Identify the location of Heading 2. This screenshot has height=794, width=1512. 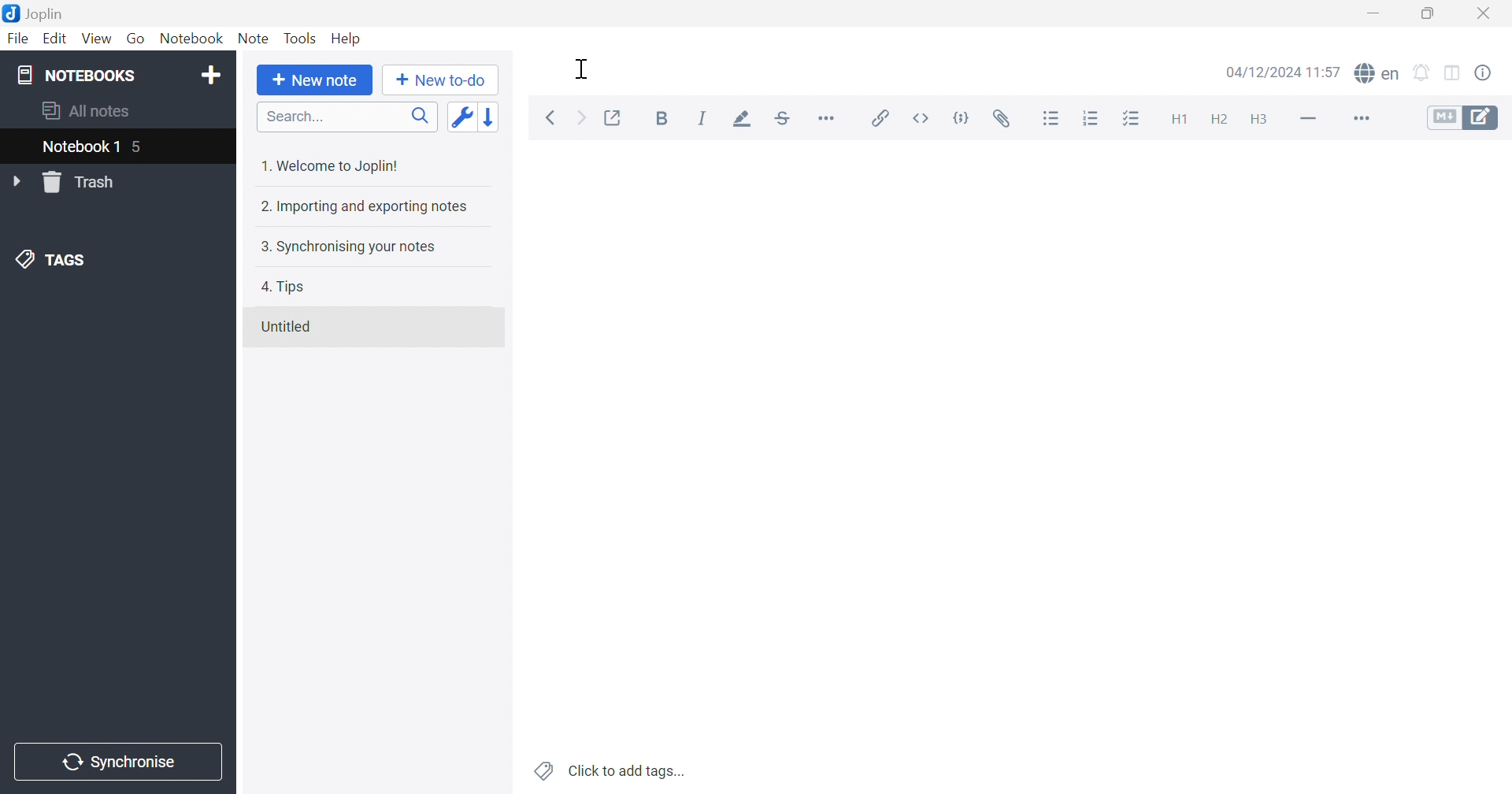
(1221, 121).